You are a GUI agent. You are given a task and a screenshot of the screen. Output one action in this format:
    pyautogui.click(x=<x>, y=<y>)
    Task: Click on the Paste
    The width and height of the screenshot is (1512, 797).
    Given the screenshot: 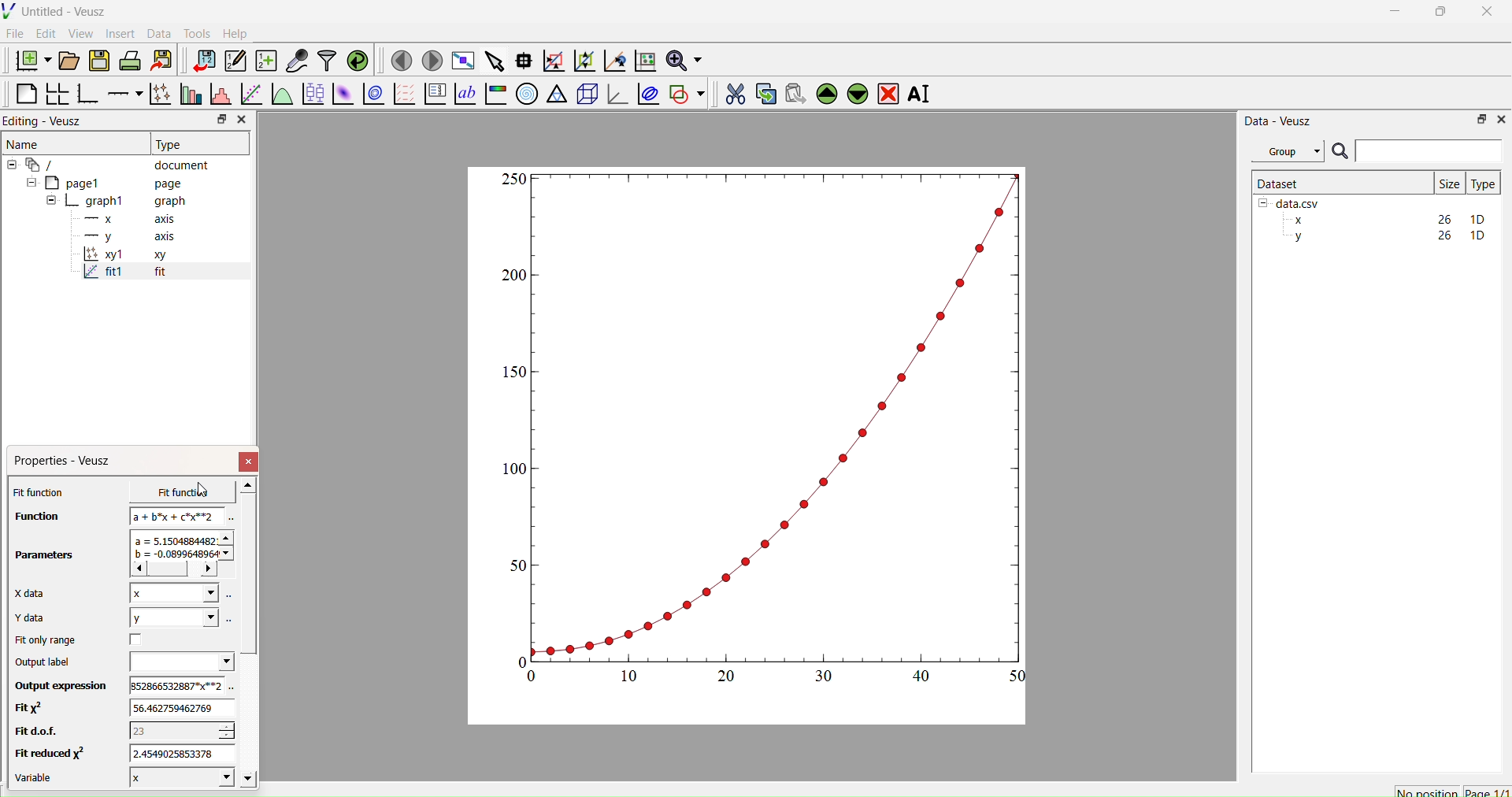 What is the action you would take?
    pyautogui.click(x=793, y=91)
    